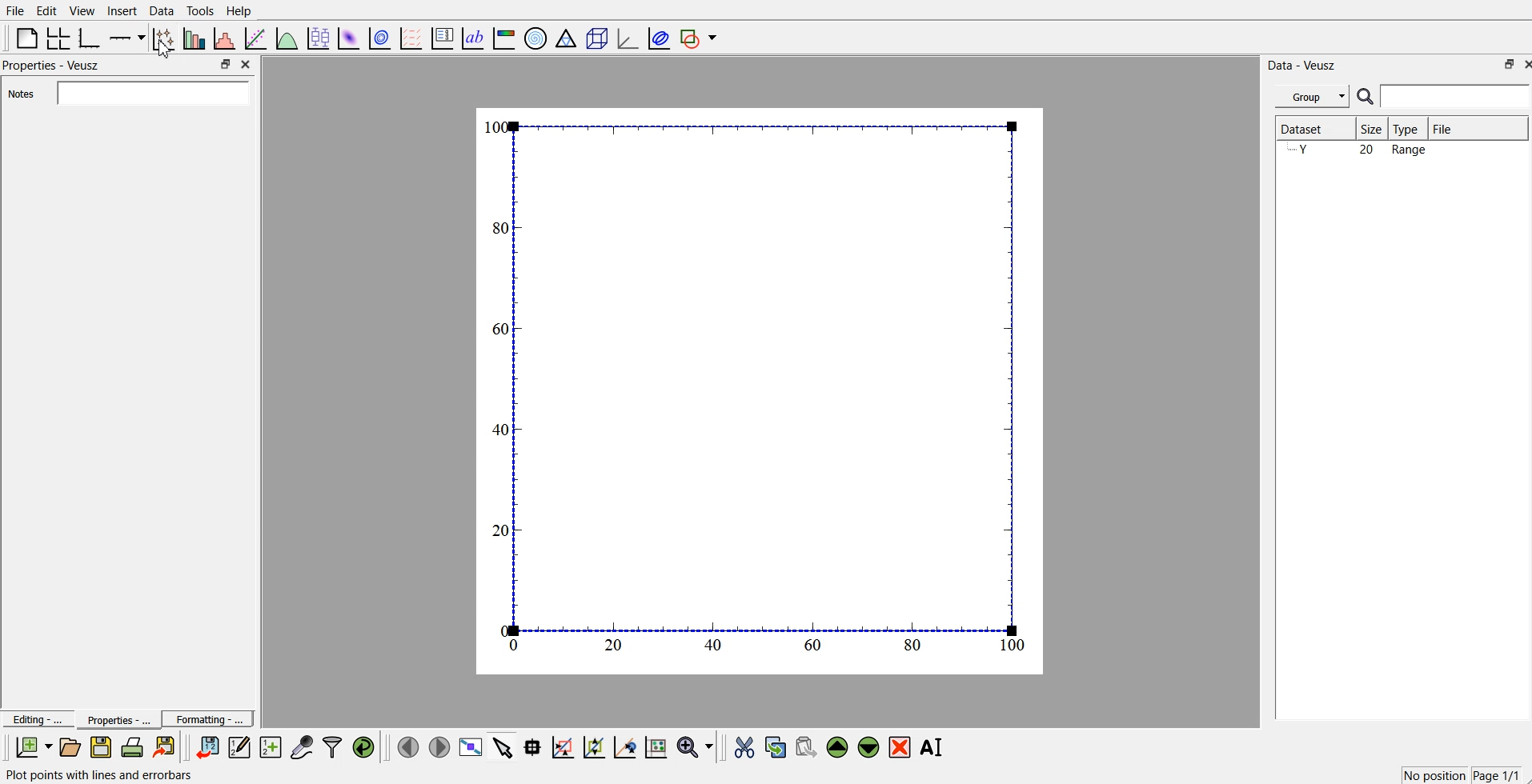 This screenshot has height=784, width=1532. Describe the element at coordinates (127, 37) in the screenshot. I see `add an axis to the plot` at that location.